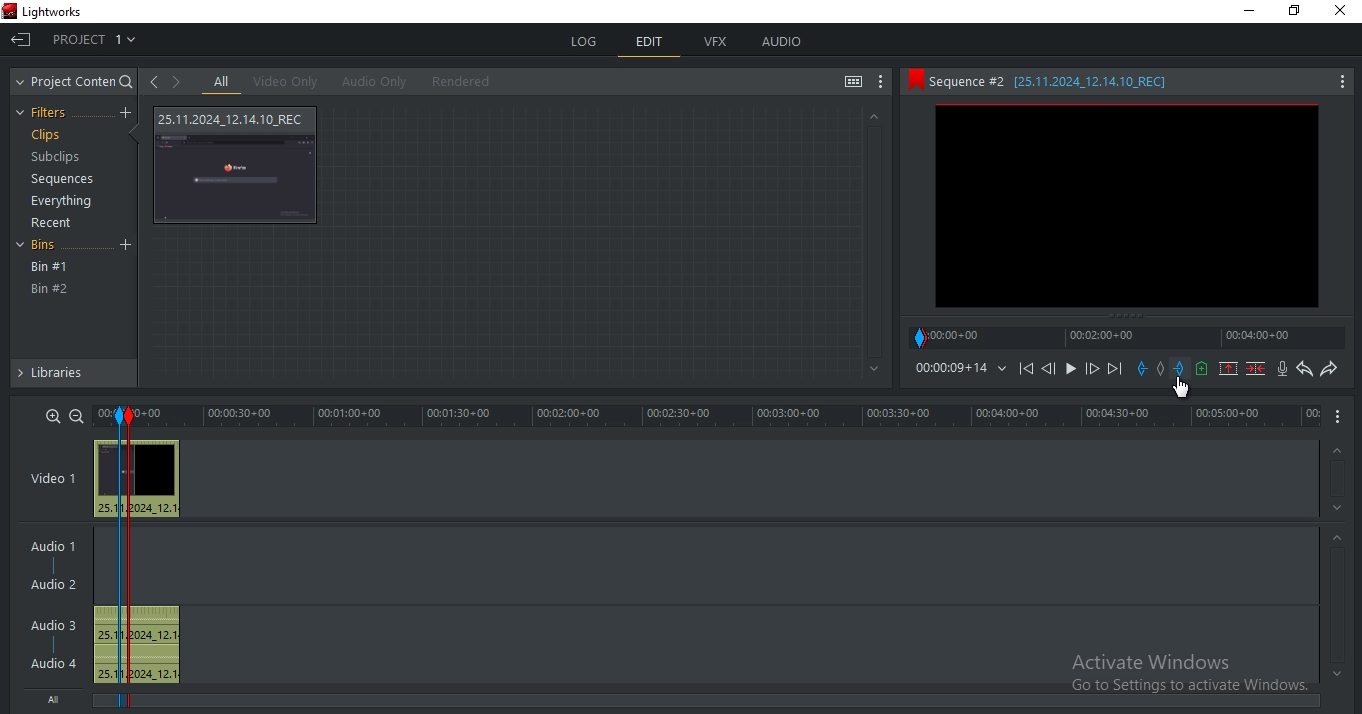 The image size is (1362, 714). Describe the element at coordinates (72, 377) in the screenshot. I see `libraries` at that location.